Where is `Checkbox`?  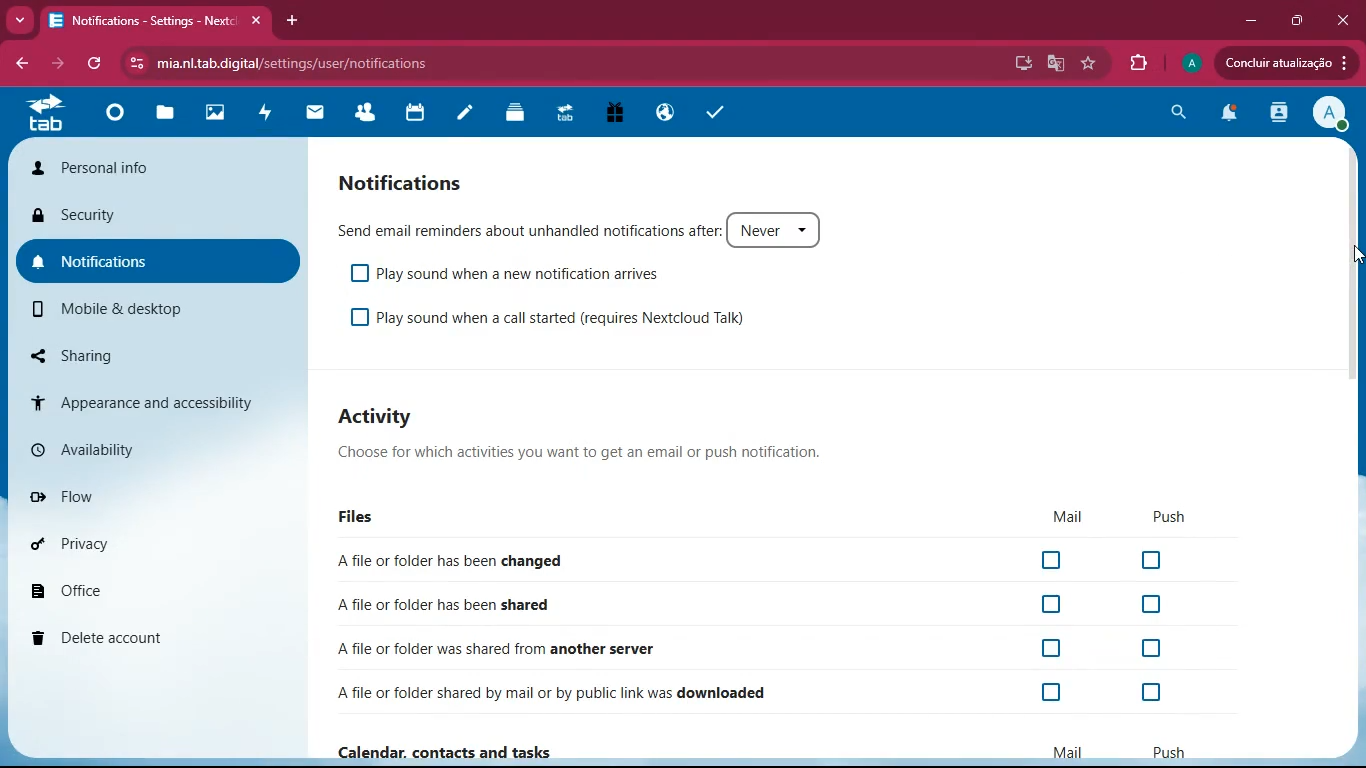 Checkbox is located at coordinates (1054, 604).